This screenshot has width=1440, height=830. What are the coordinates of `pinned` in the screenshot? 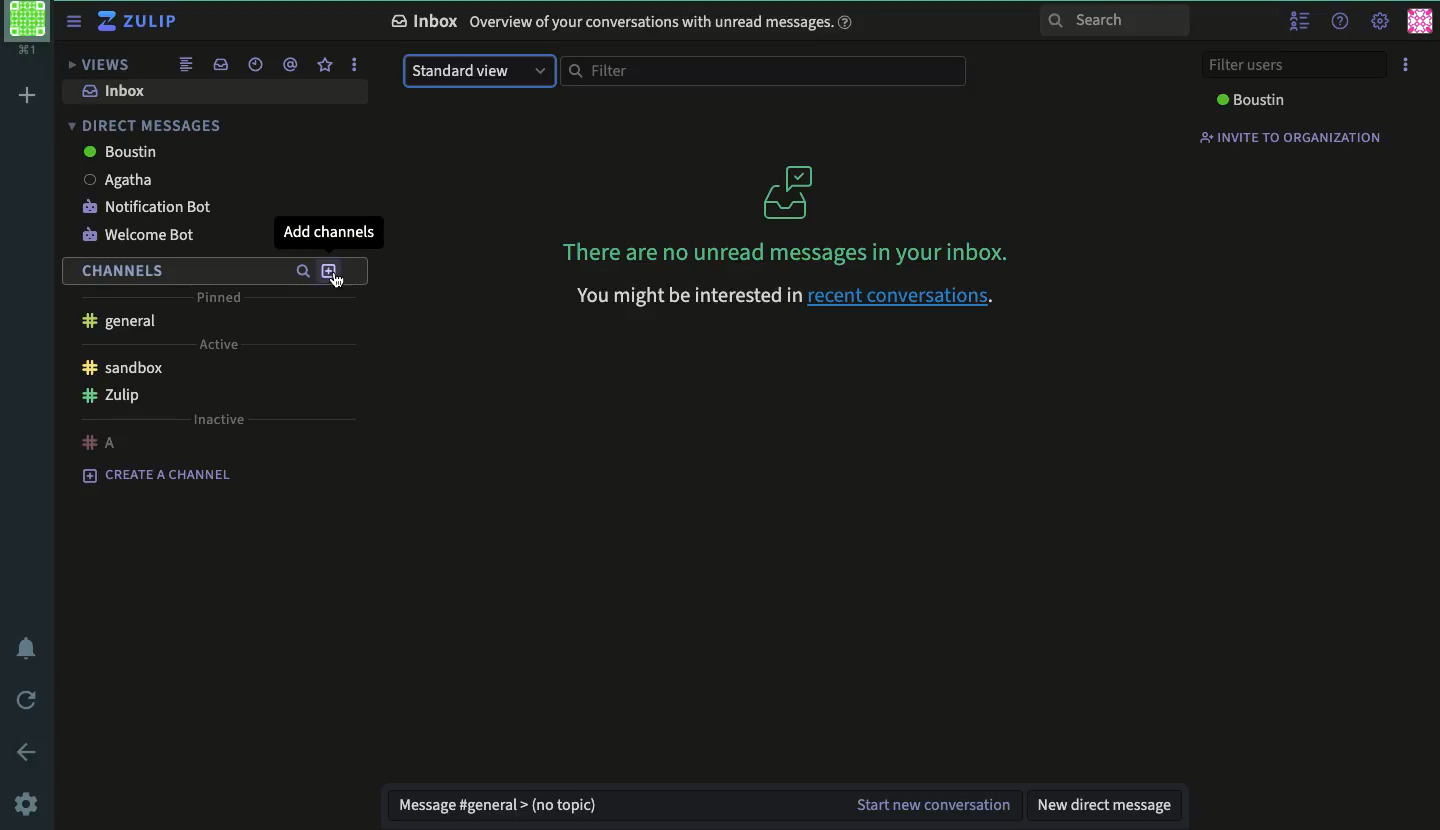 It's located at (210, 299).